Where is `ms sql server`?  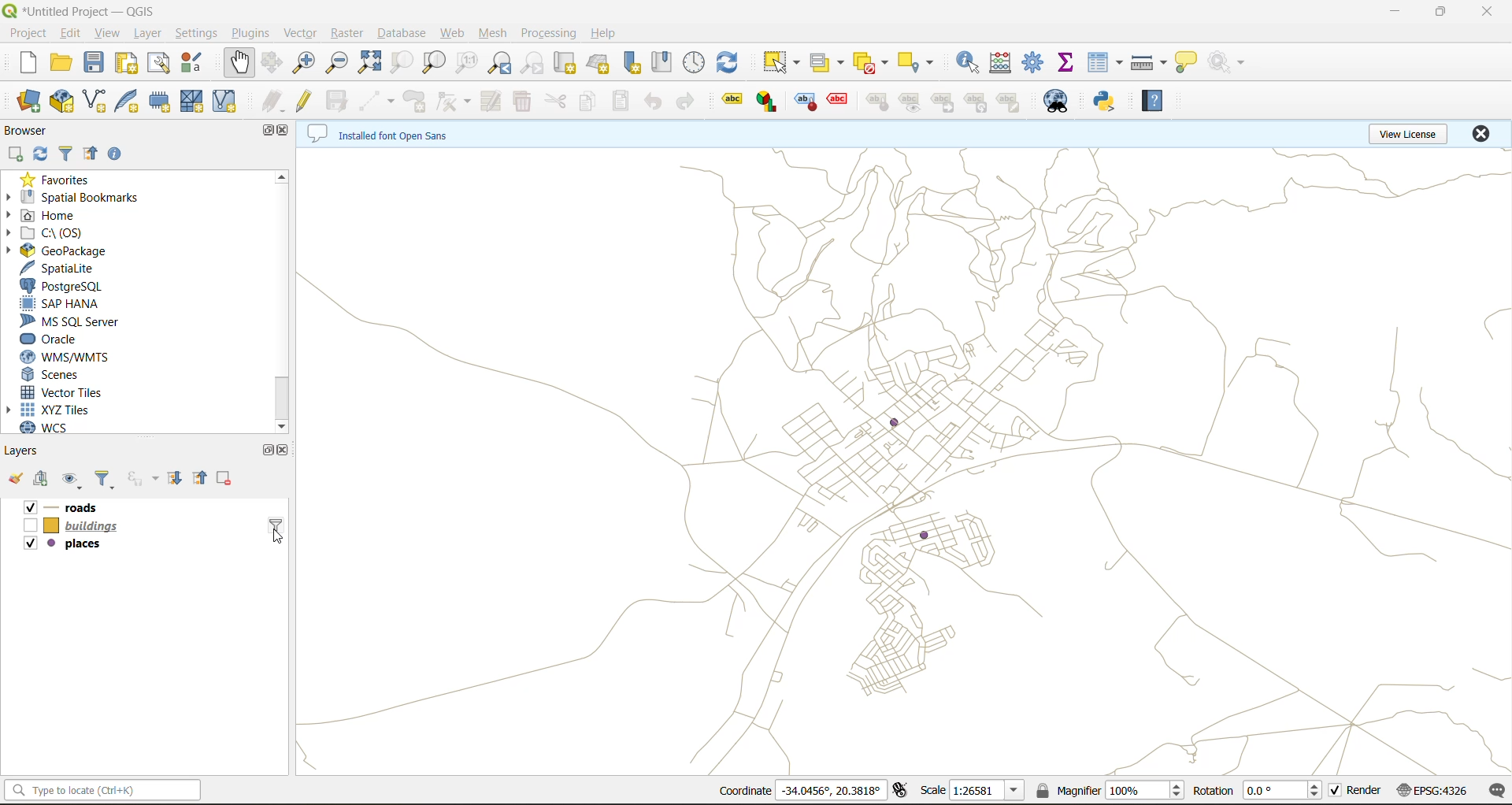 ms sql server is located at coordinates (73, 321).